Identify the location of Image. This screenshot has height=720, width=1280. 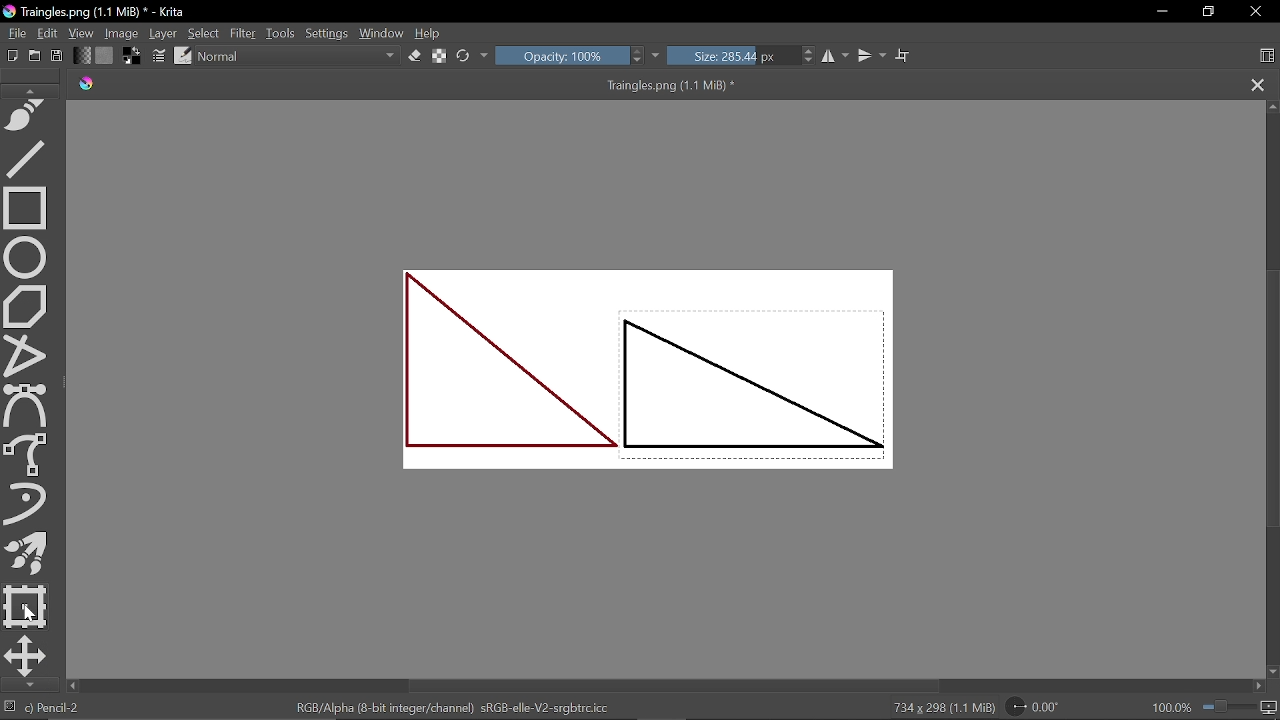
(123, 33).